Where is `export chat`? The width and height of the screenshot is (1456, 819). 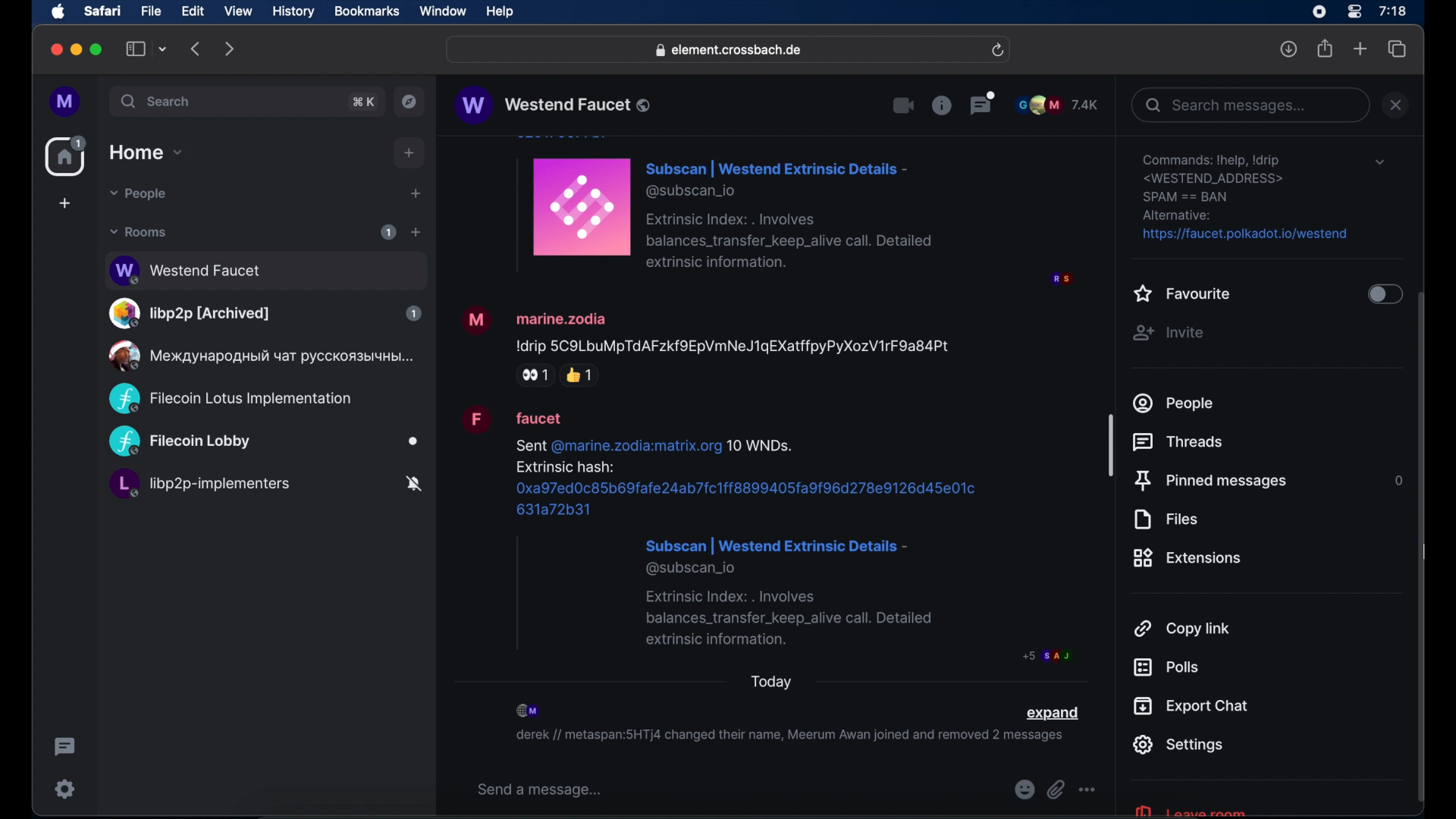
export chat is located at coordinates (1191, 706).